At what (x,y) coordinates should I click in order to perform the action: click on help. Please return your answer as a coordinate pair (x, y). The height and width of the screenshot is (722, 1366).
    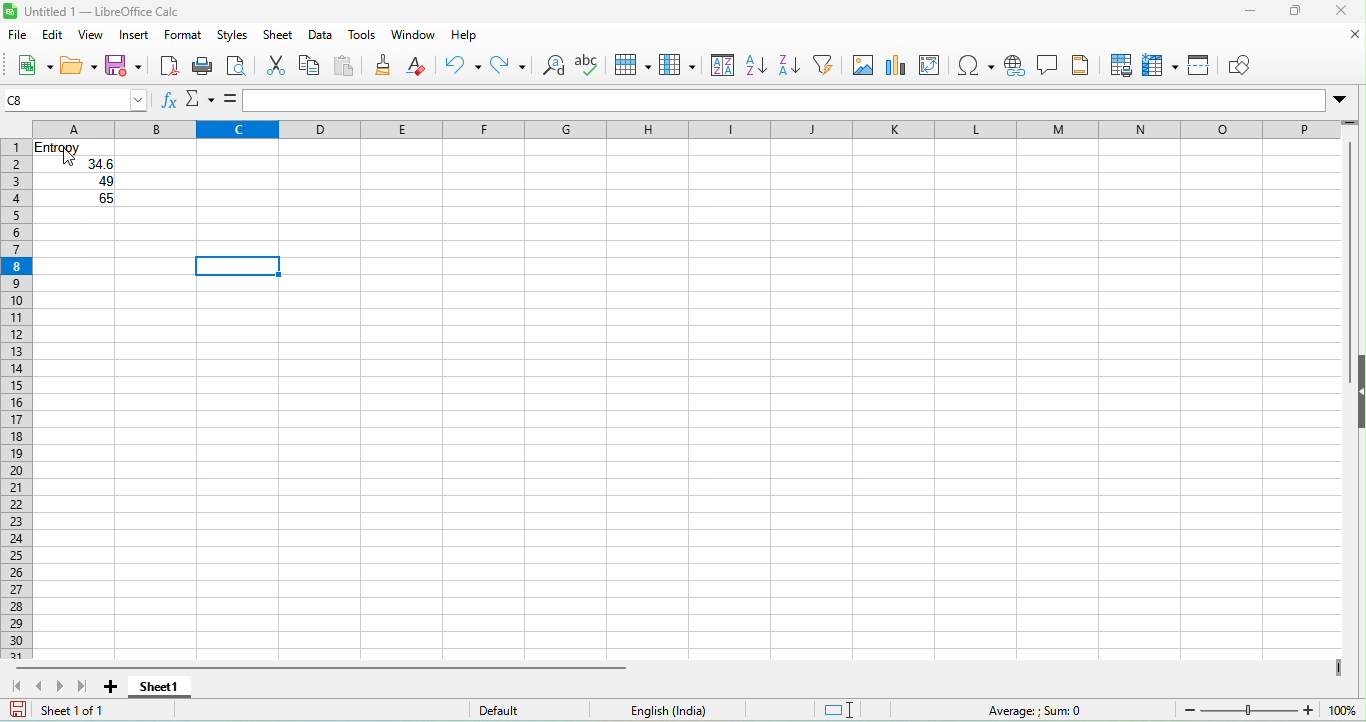
    Looking at the image, I should click on (470, 36).